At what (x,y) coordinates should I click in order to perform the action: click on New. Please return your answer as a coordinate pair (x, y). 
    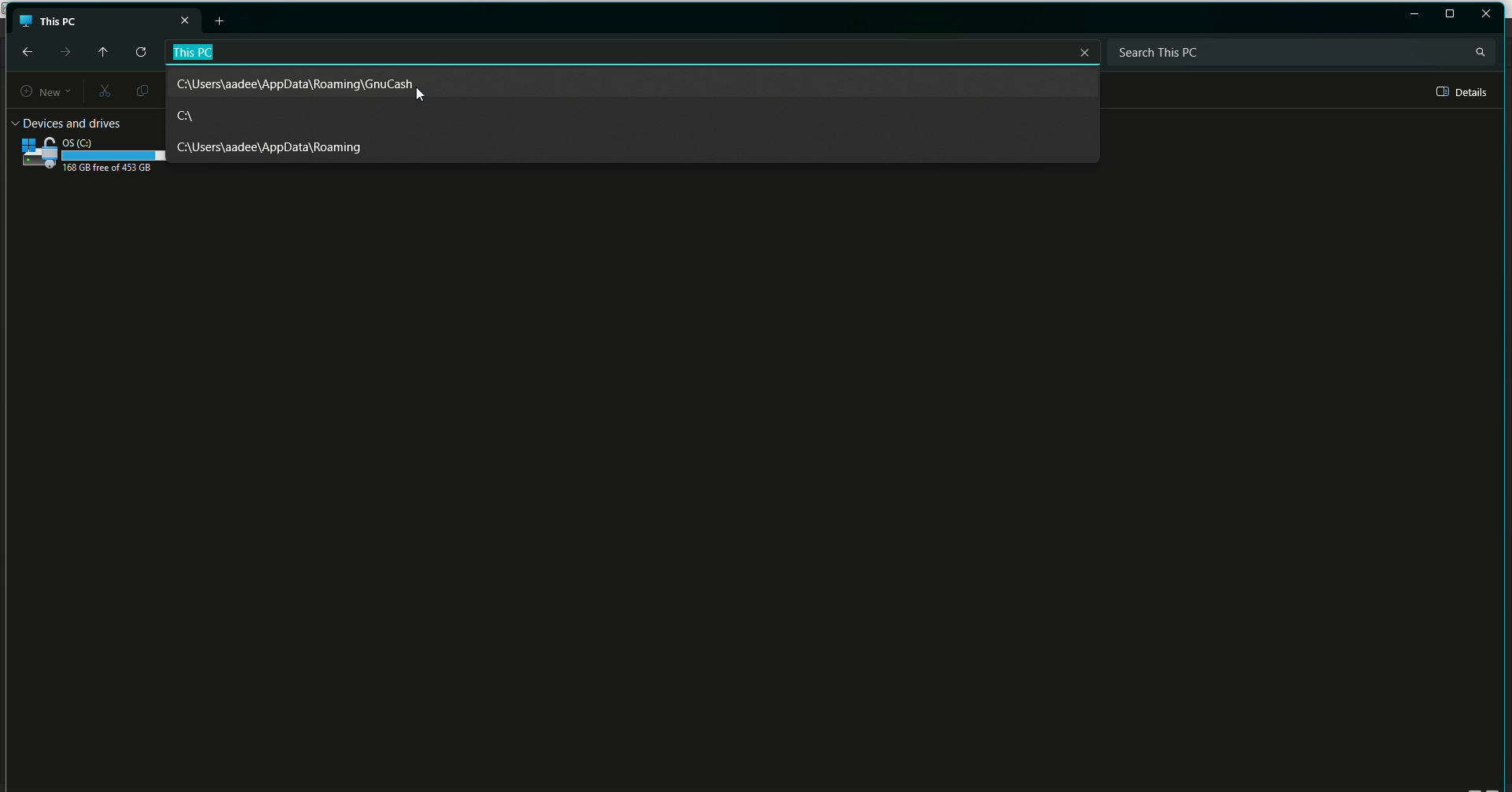
    Looking at the image, I should click on (38, 92).